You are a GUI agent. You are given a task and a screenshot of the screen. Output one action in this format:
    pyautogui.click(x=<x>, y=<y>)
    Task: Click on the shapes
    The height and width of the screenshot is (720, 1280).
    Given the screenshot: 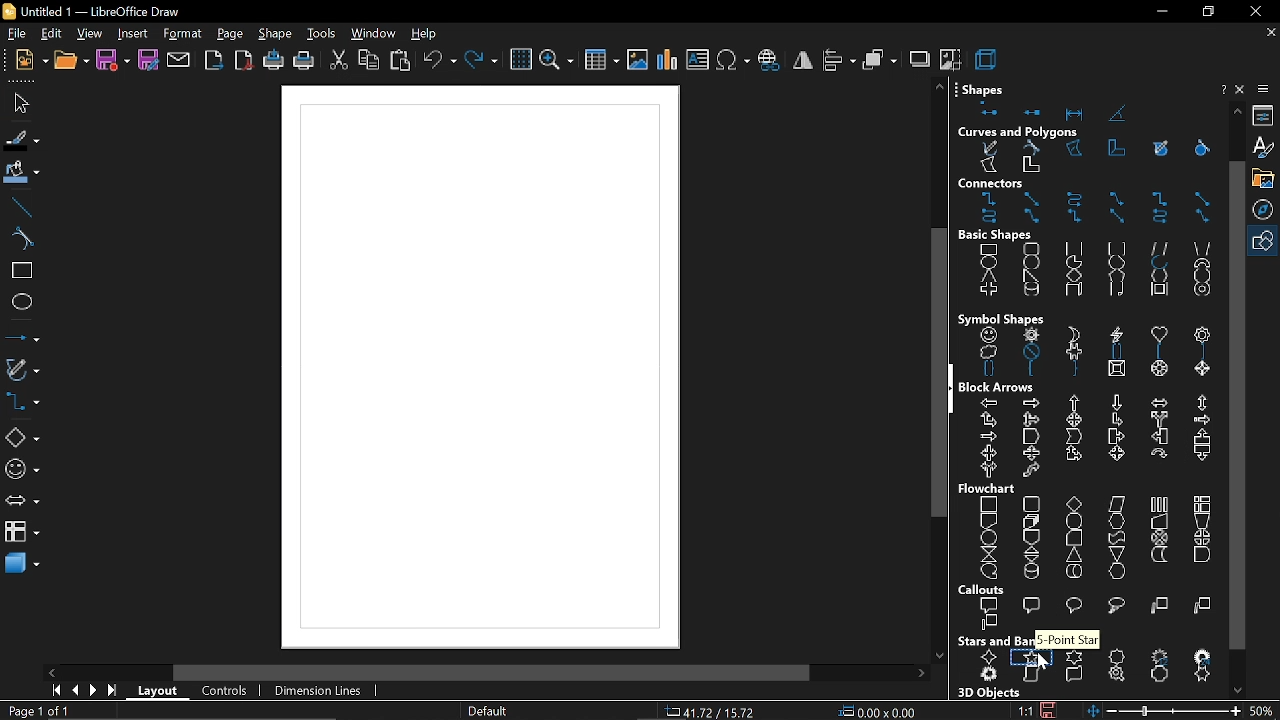 What is the action you would take?
    pyautogui.click(x=984, y=87)
    